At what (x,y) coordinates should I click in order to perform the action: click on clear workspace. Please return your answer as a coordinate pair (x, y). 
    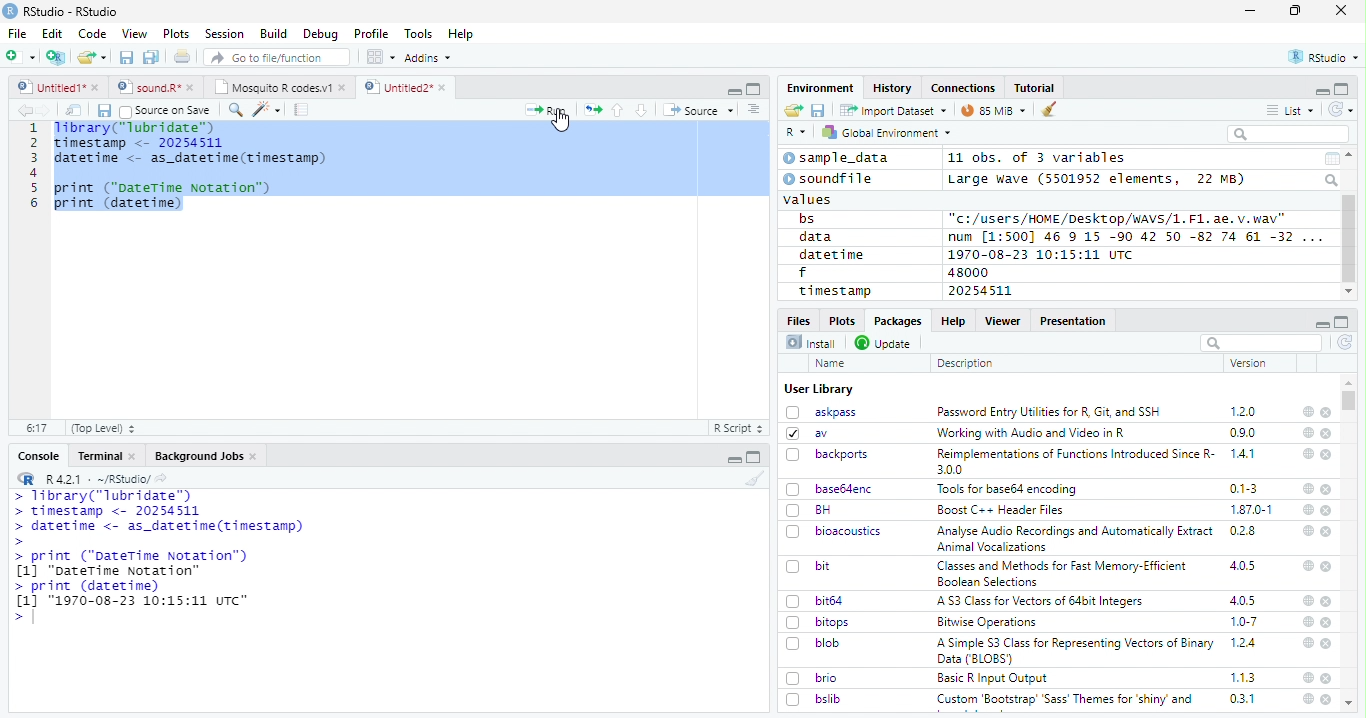
    Looking at the image, I should click on (751, 478).